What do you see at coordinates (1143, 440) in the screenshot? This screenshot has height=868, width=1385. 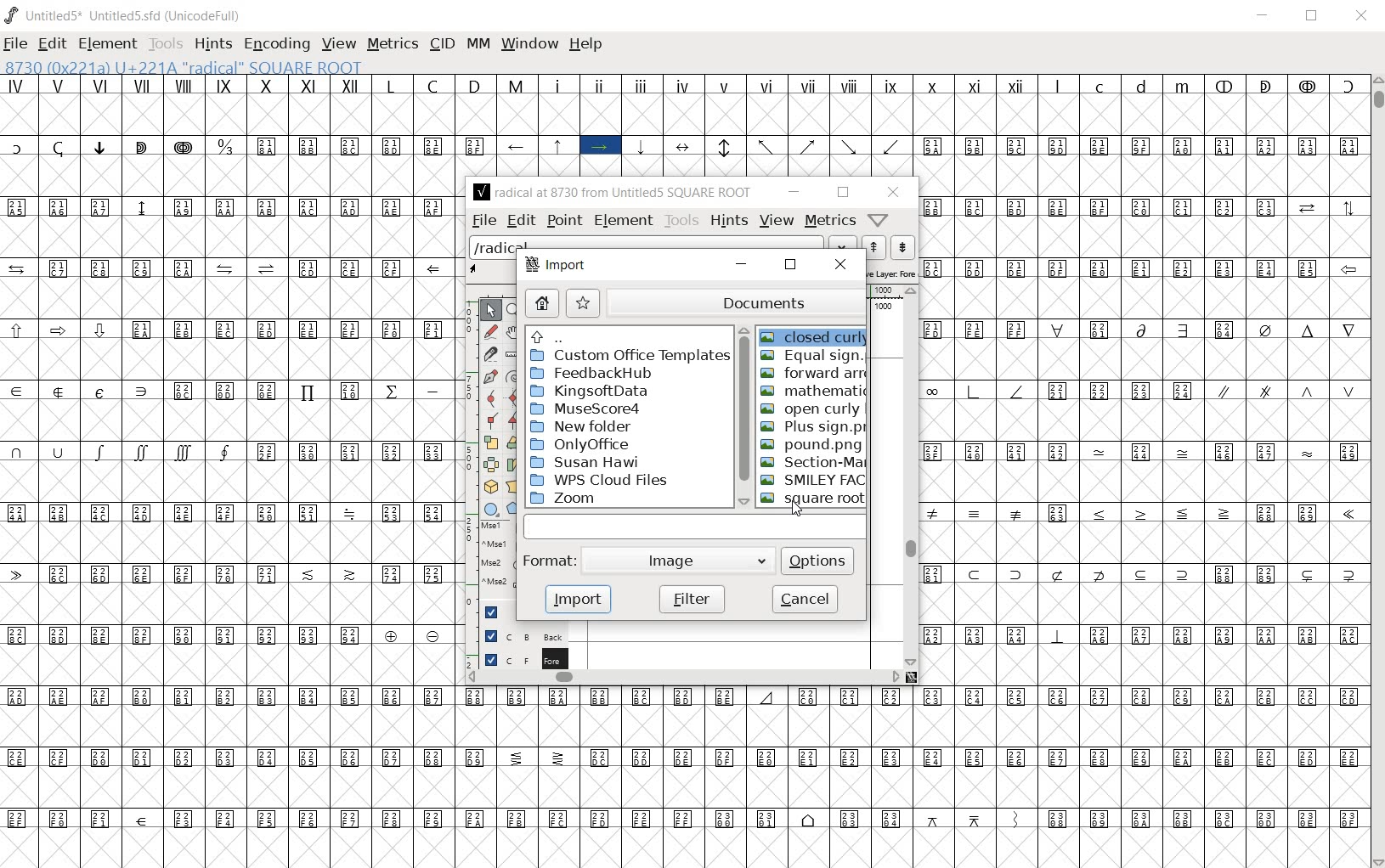 I see `Glyph characters` at bounding box center [1143, 440].